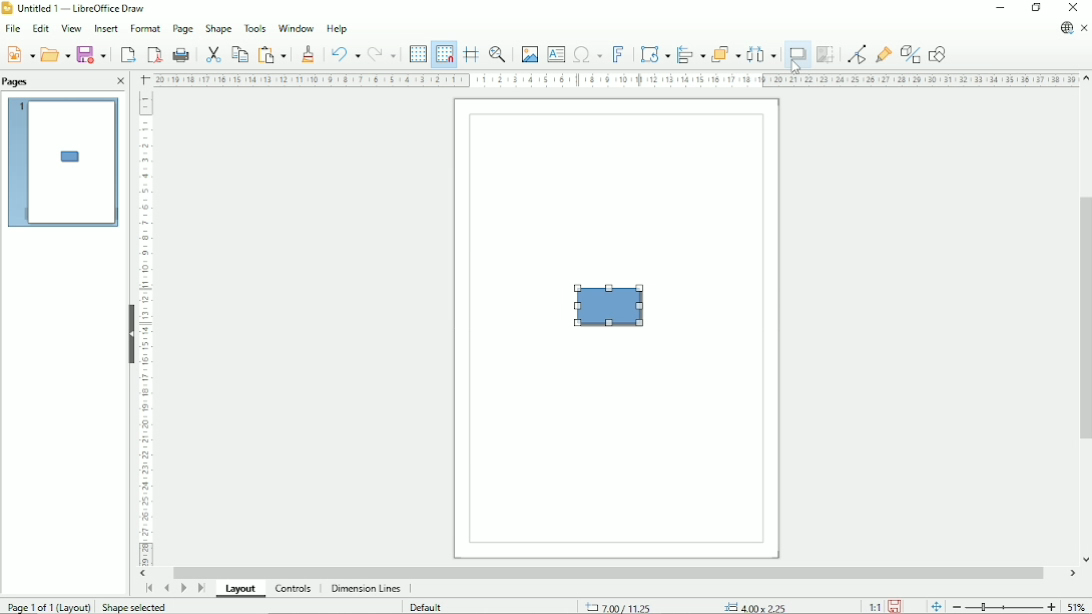 The height and width of the screenshot is (614, 1092). Describe the element at coordinates (617, 54) in the screenshot. I see `Insert fontwork text` at that location.